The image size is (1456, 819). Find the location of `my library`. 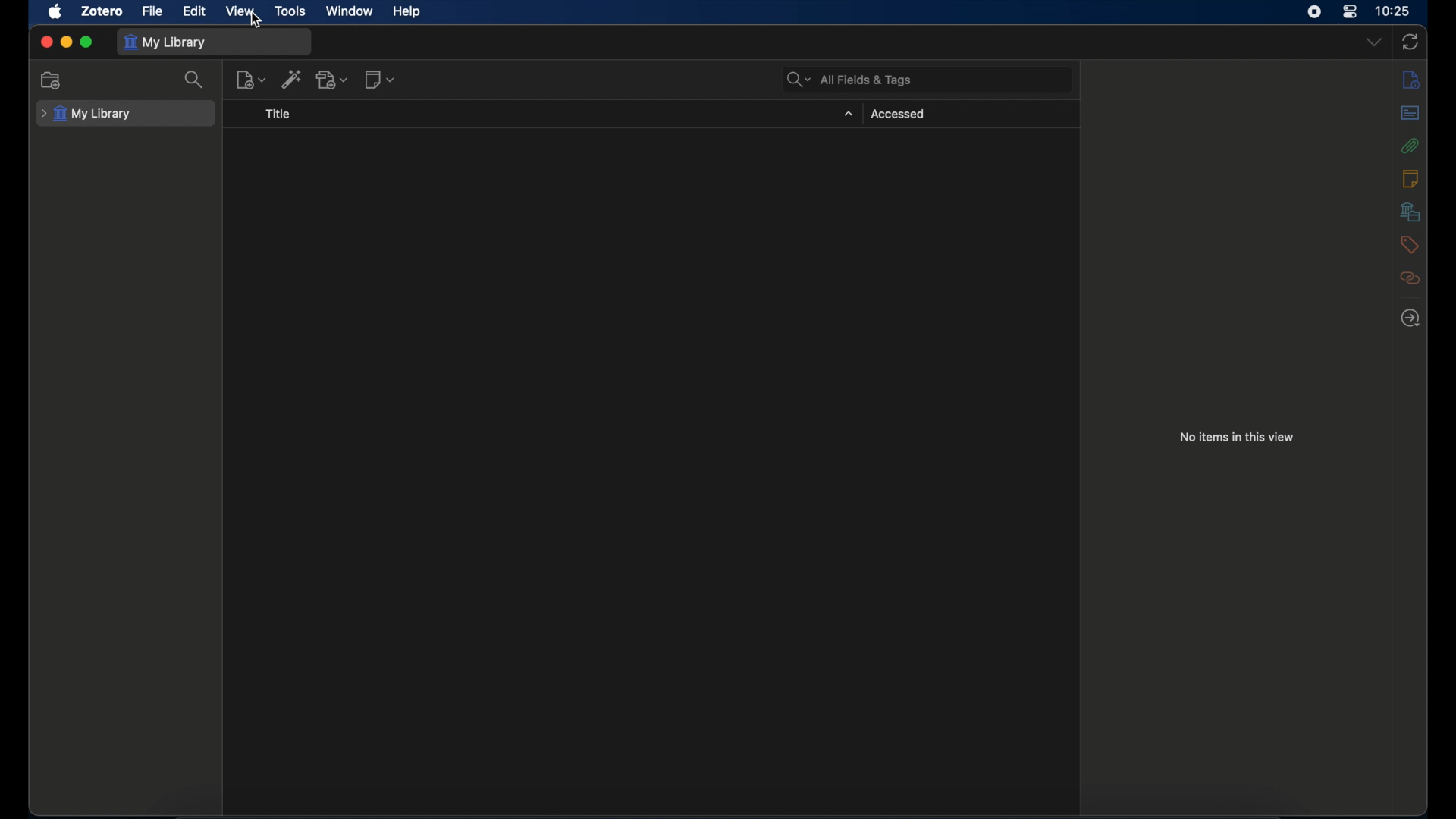

my library is located at coordinates (86, 114).